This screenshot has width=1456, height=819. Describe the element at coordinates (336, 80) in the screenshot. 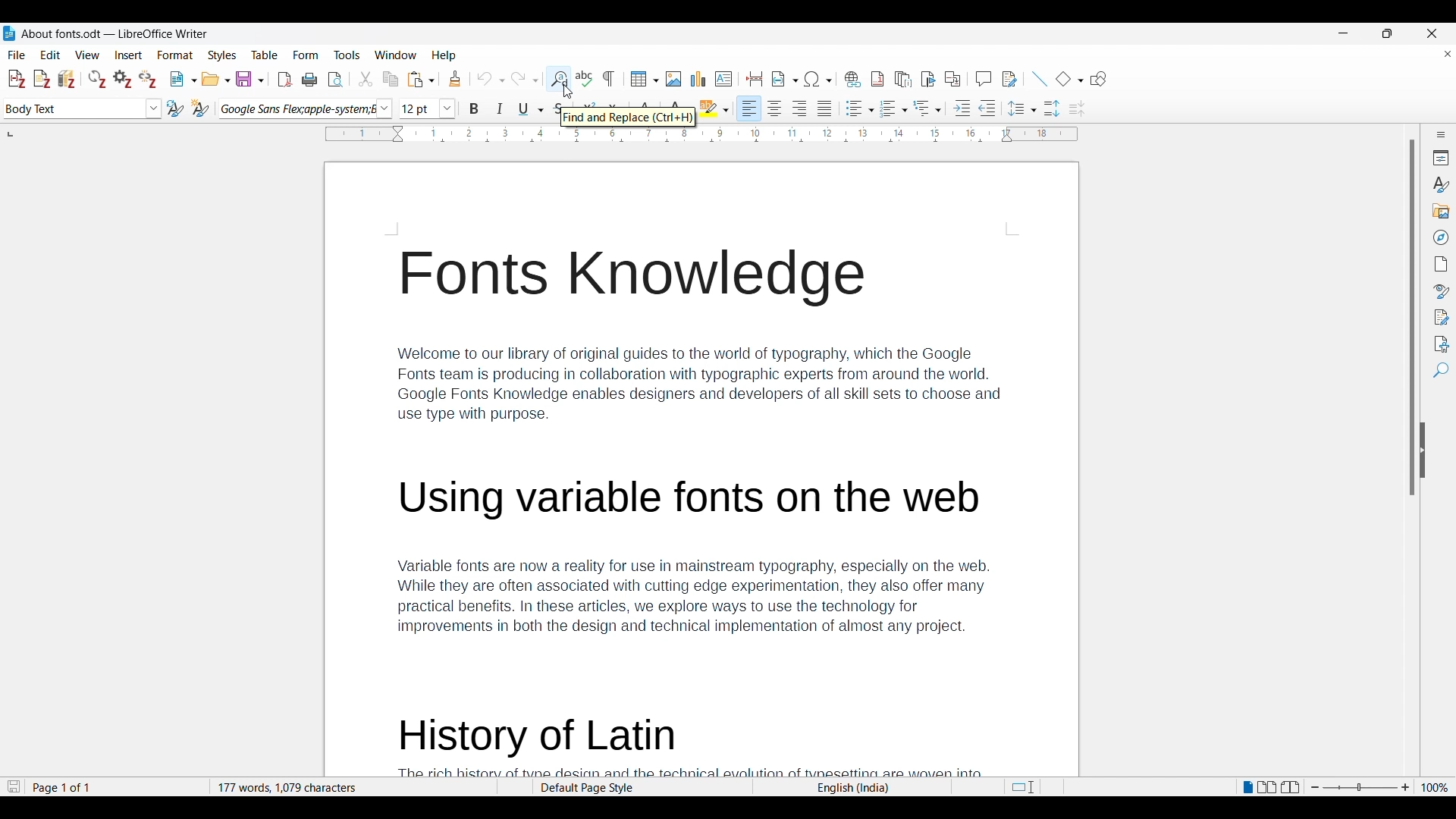

I see `Toggle print preview` at that location.